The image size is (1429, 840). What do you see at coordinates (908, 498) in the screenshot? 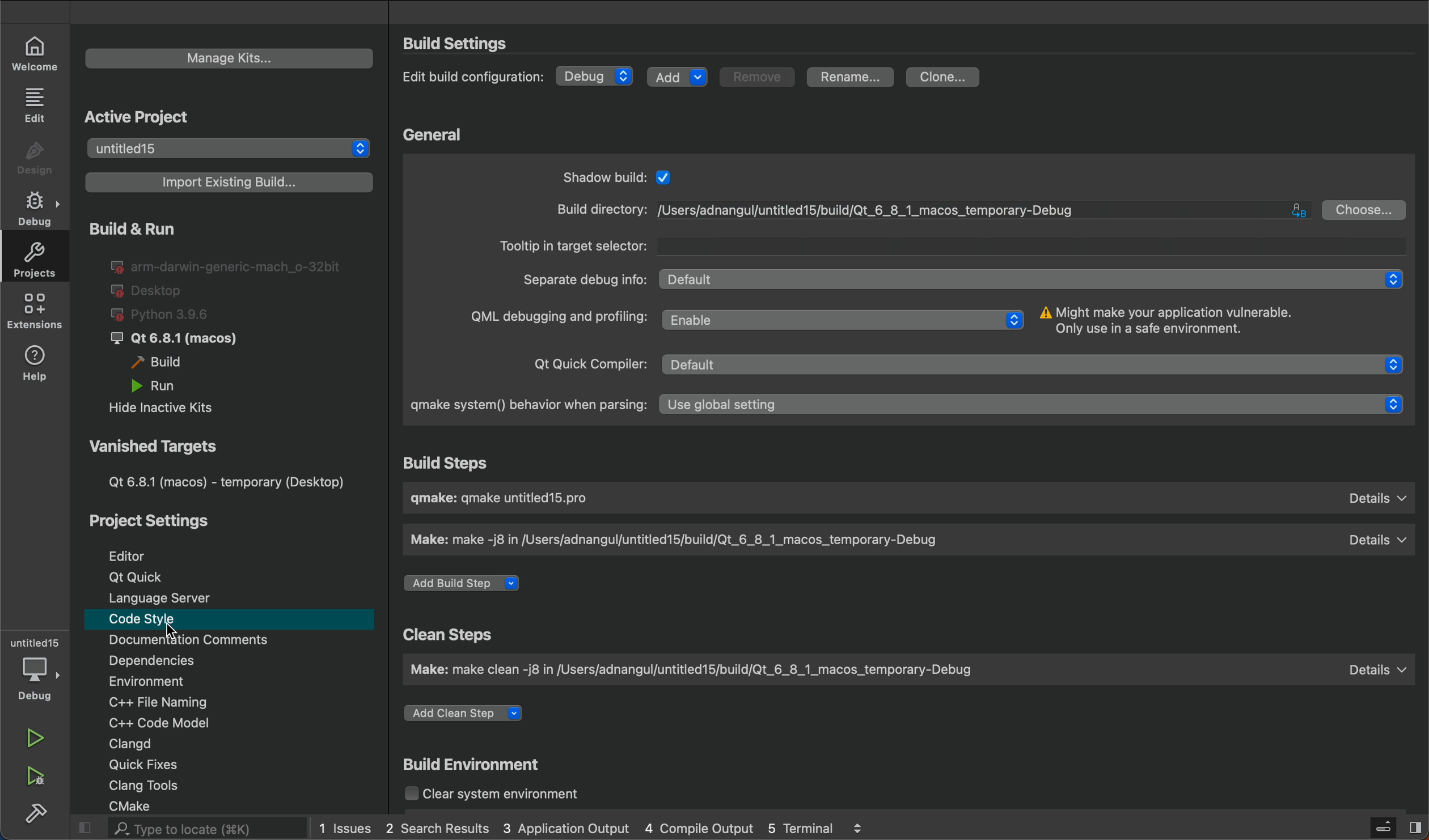
I see `build type` at bounding box center [908, 498].